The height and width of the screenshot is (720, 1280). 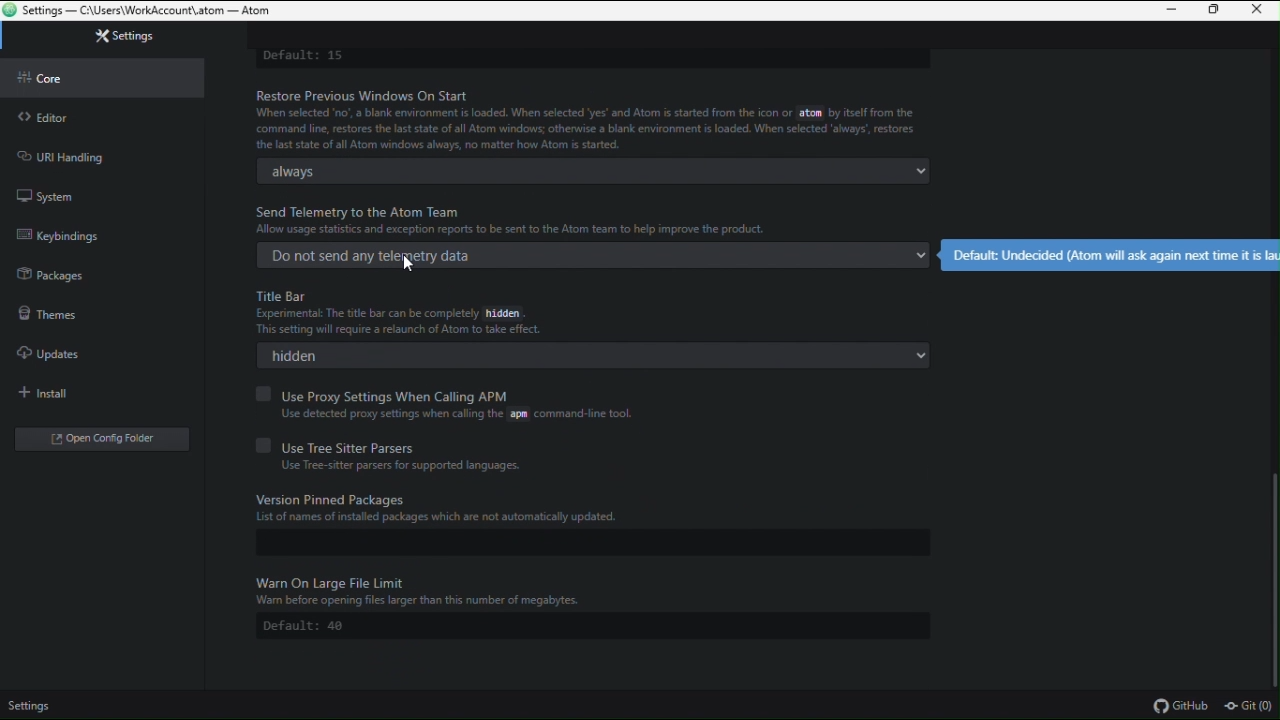 What do you see at coordinates (86, 349) in the screenshot?
I see `updates` at bounding box center [86, 349].